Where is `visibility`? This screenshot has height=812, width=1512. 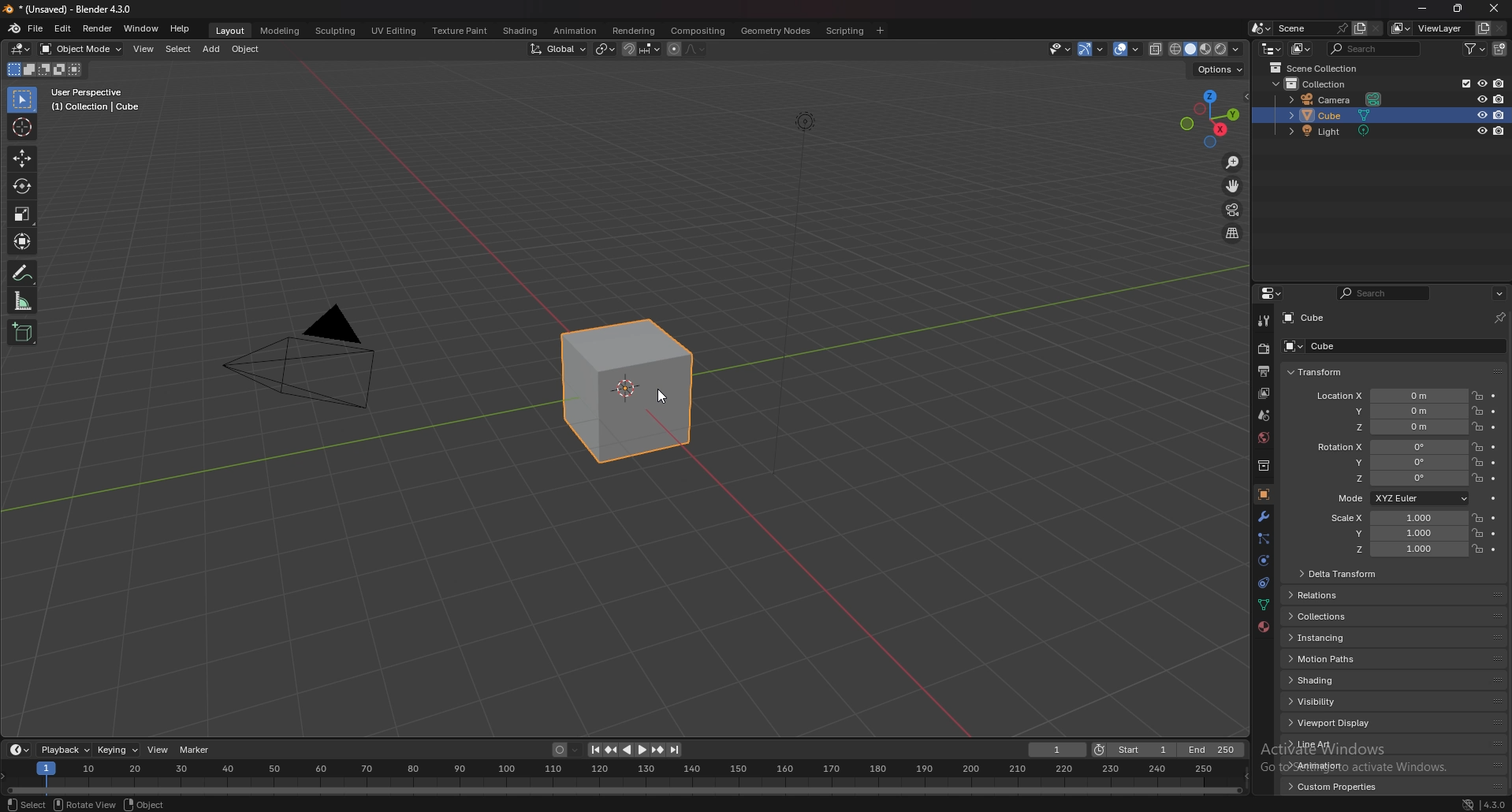
visibility is located at coordinates (1349, 702).